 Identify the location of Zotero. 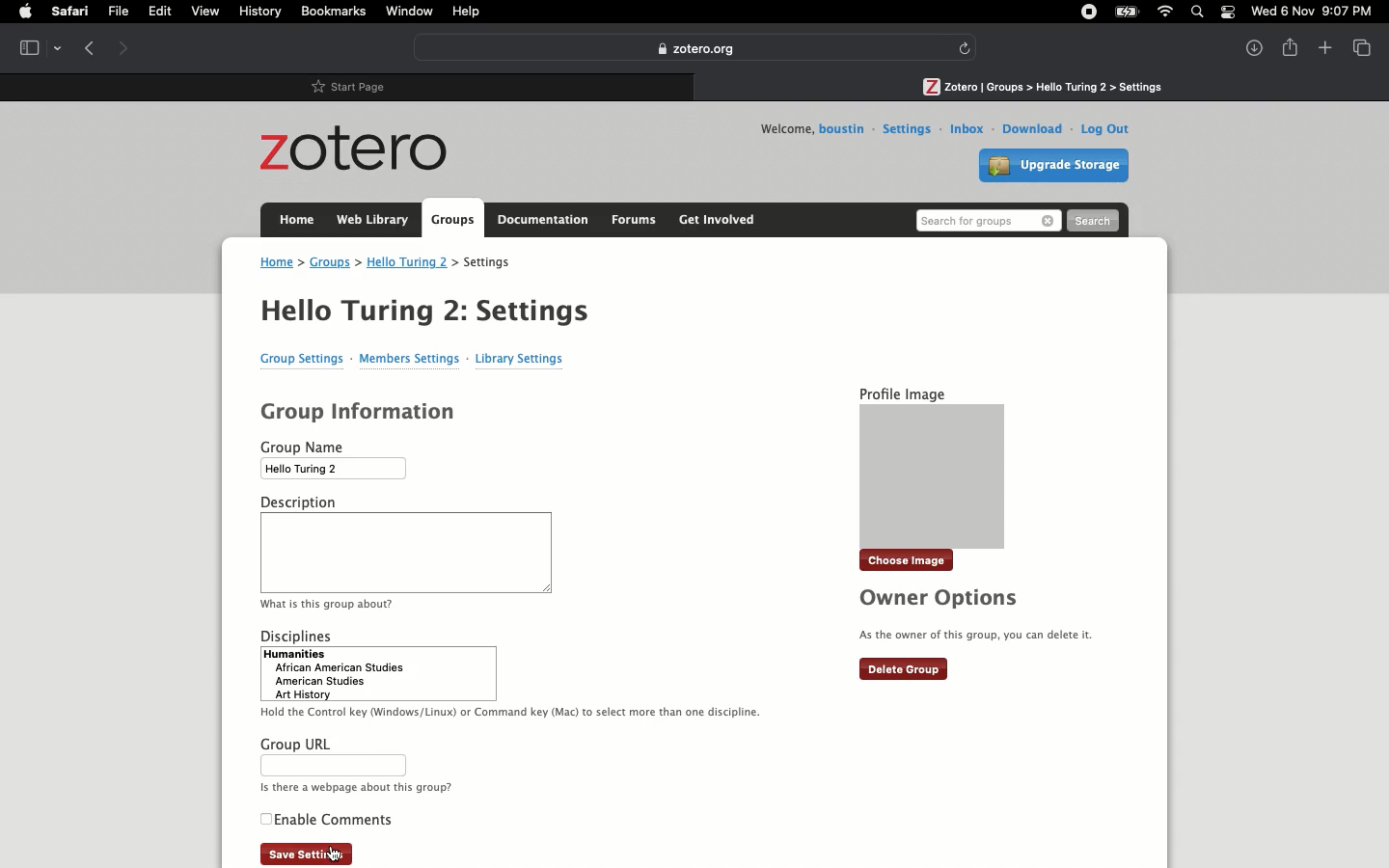
(694, 48).